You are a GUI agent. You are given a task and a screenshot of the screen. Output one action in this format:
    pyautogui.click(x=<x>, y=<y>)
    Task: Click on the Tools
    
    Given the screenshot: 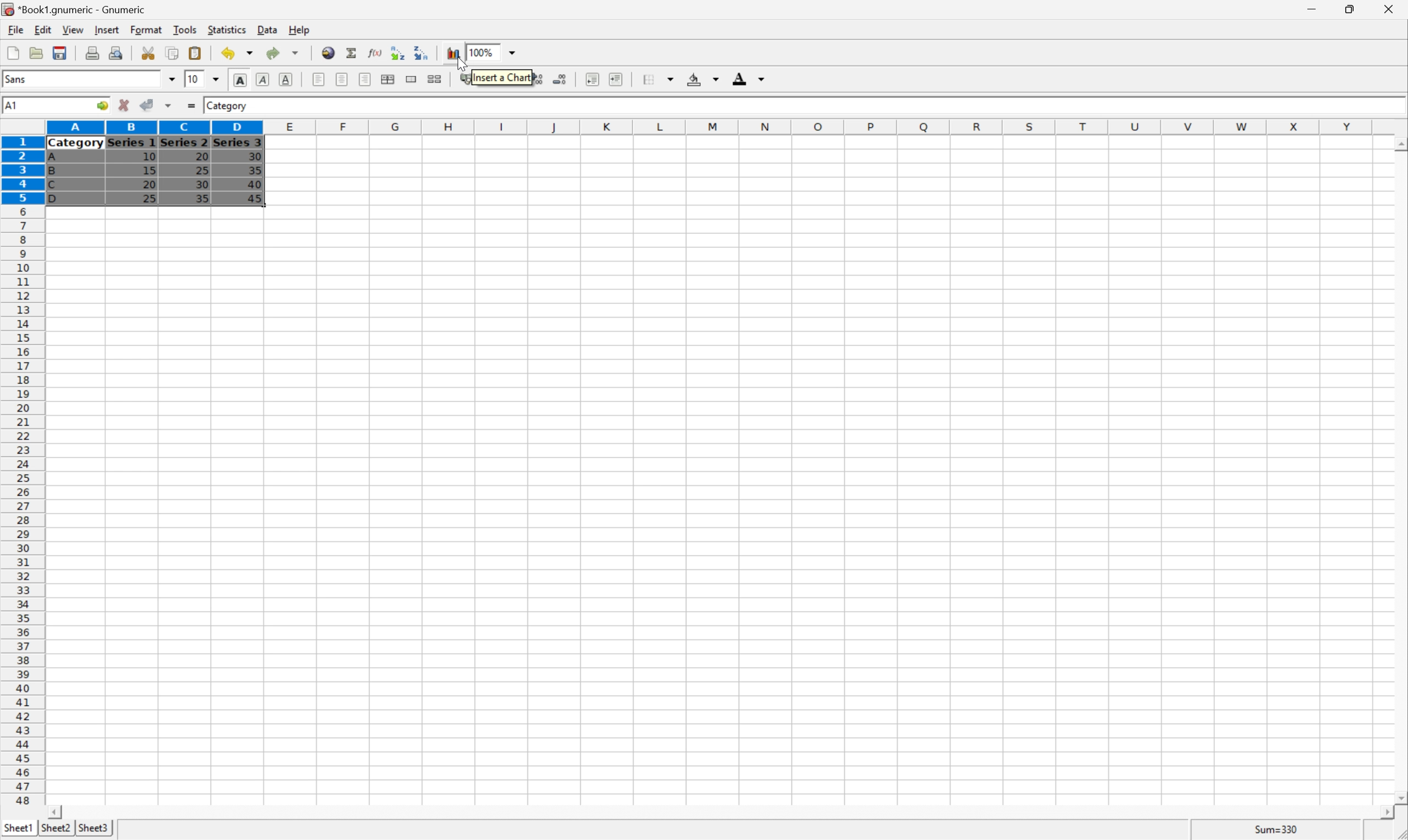 What is the action you would take?
    pyautogui.click(x=185, y=29)
    